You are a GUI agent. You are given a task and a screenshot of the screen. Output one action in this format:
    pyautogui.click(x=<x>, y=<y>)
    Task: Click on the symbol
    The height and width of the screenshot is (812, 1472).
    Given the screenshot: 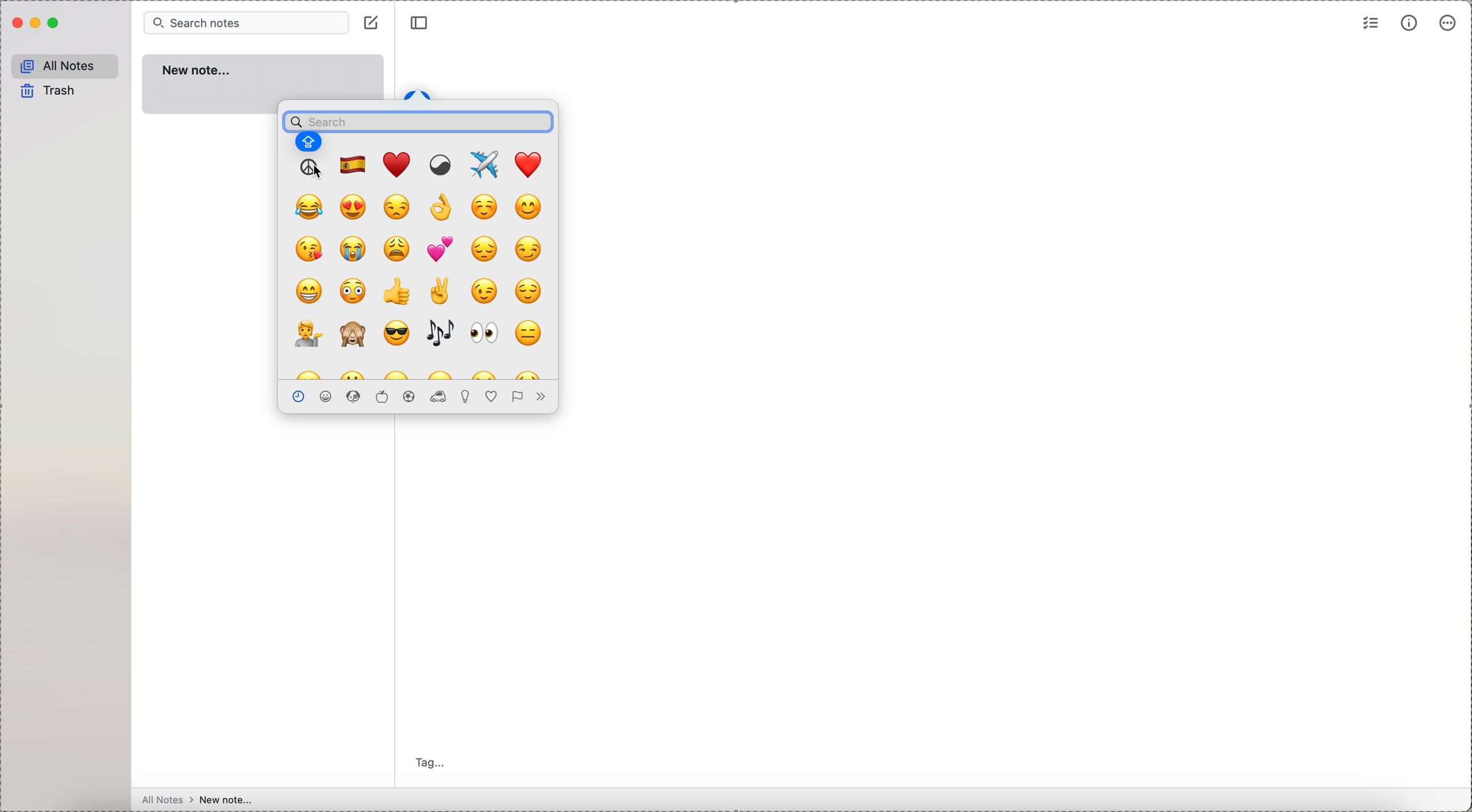 What is the action you would take?
    pyautogui.click(x=442, y=165)
    